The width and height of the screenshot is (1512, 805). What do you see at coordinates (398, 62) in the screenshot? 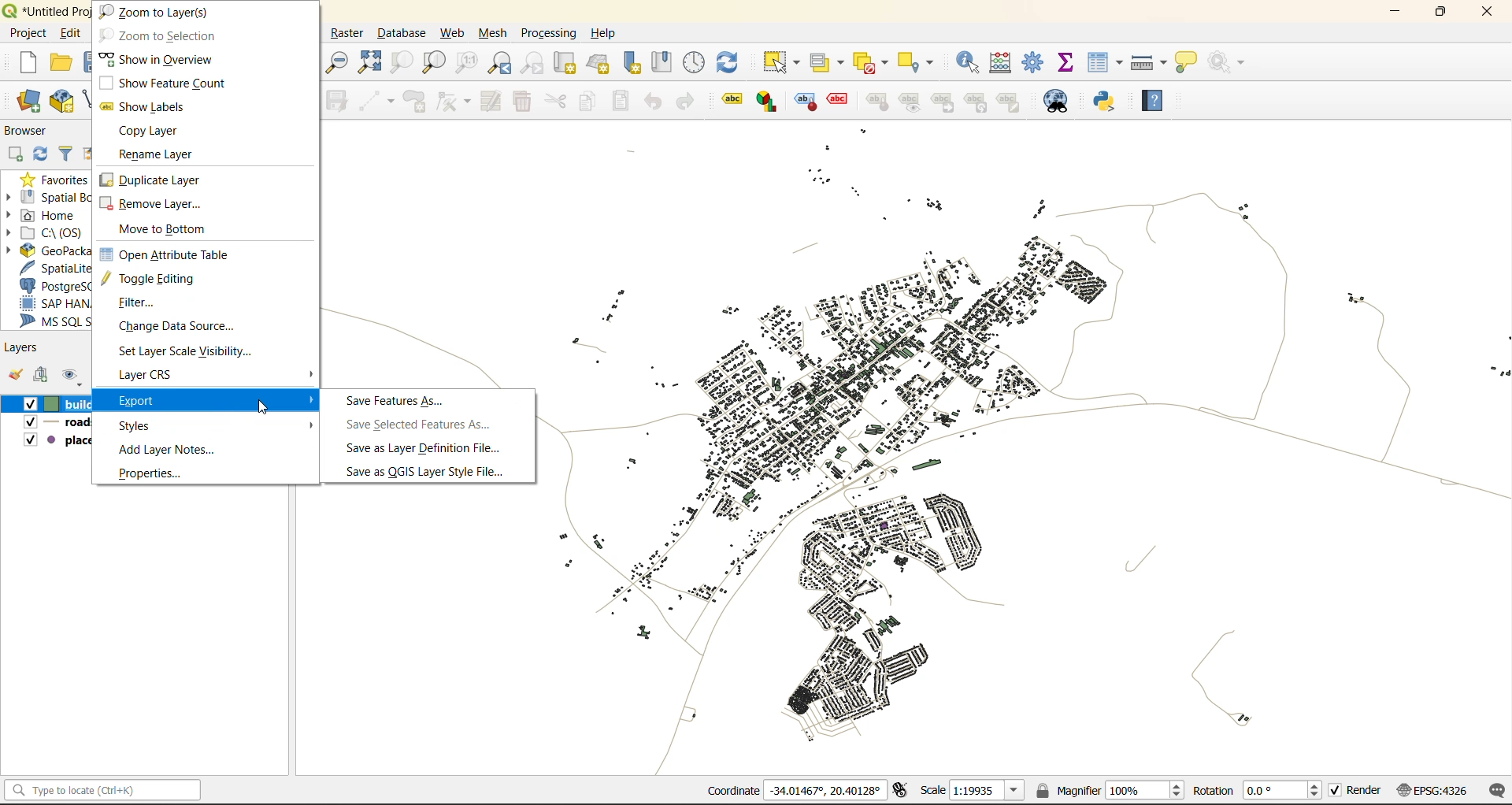
I see `zoom selection` at bounding box center [398, 62].